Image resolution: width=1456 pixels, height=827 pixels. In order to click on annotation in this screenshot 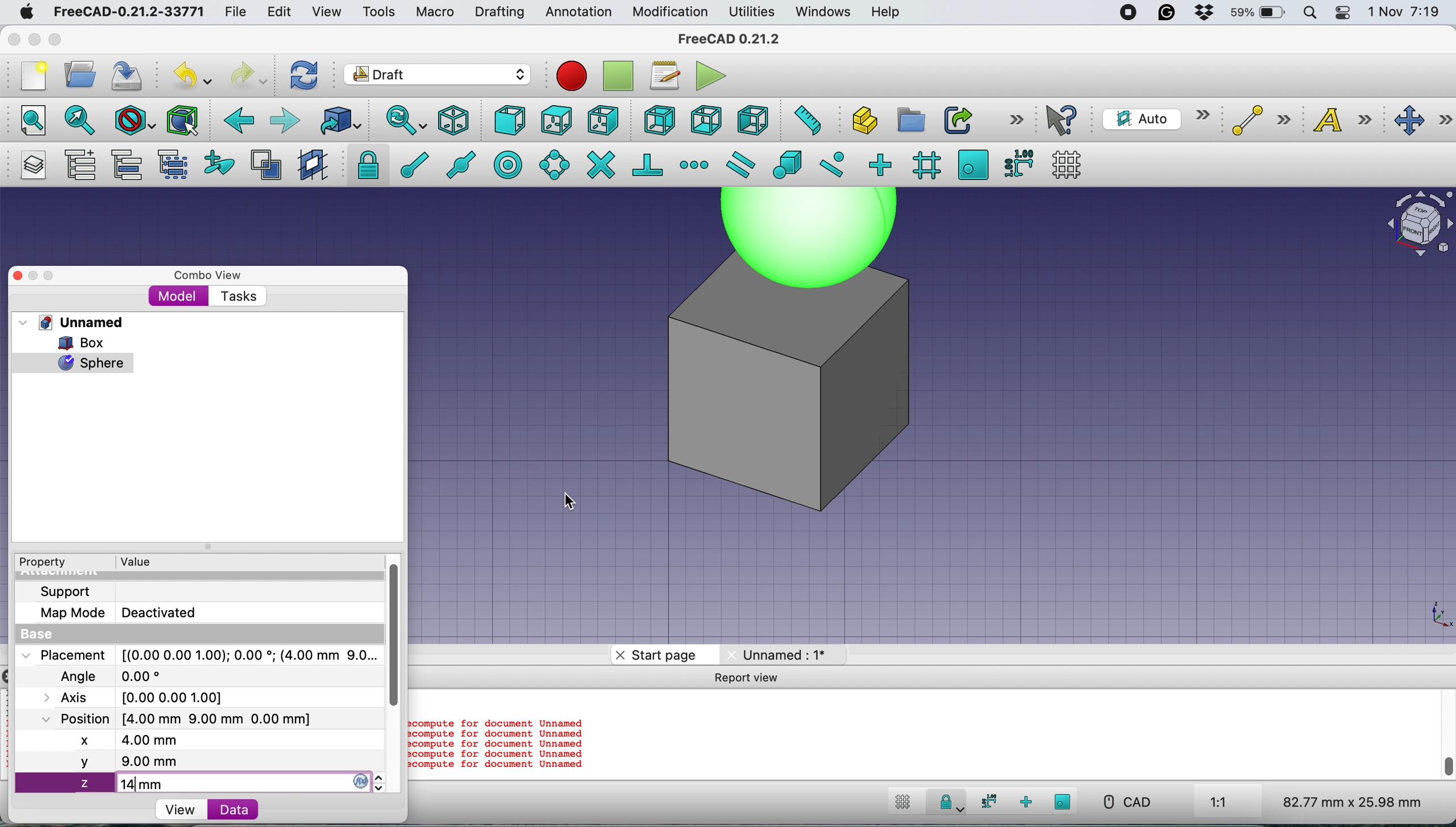, I will do `click(576, 12)`.